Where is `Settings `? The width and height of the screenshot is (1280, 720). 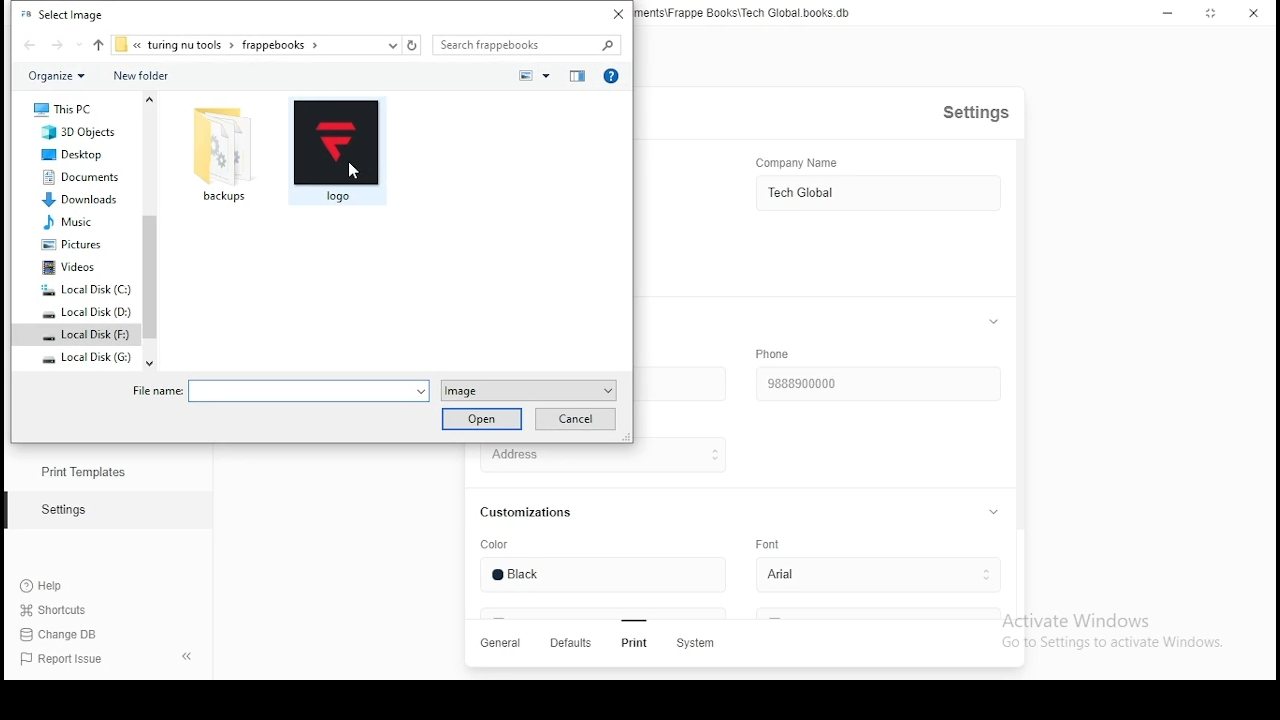
Settings  is located at coordinates (63, 512).